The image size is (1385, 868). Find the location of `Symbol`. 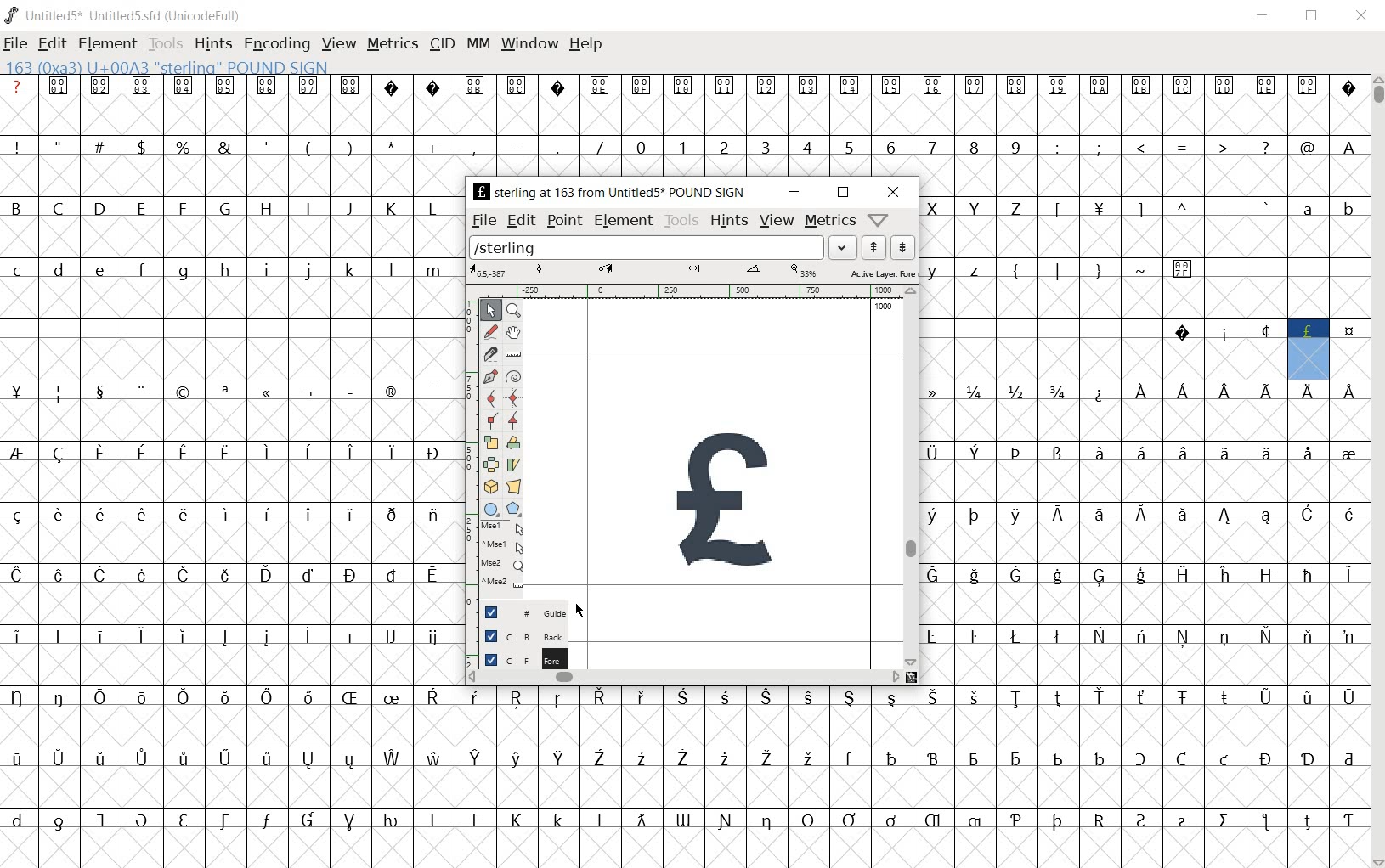

Symbol is located at coordinates (1015, 516).